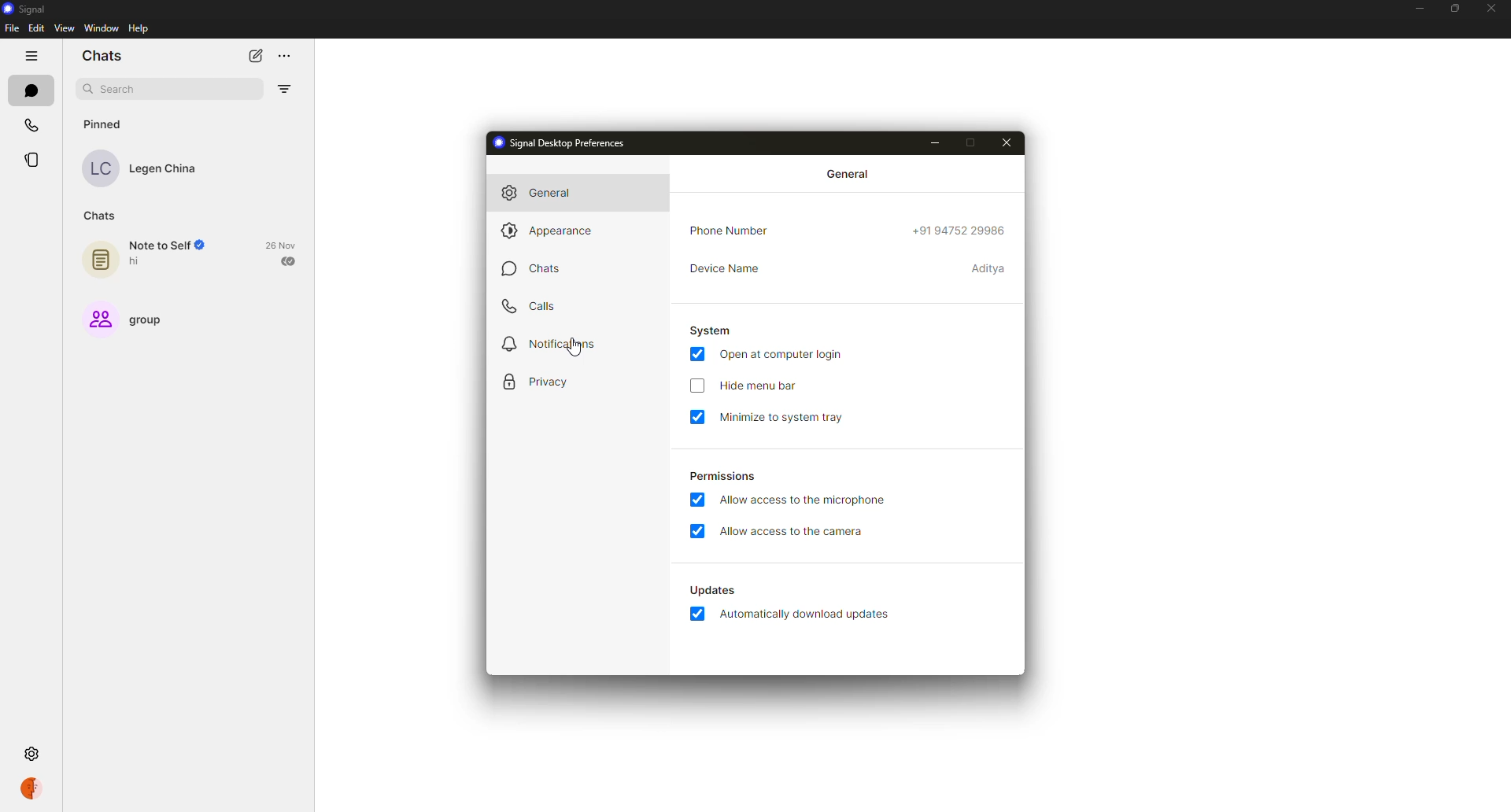 Image resolution: width=1511 pixels, height=812 pixels. What do you see at coordinates (151, 168) in the screenshot?
I see `contact` at bounding box center [151, 168].